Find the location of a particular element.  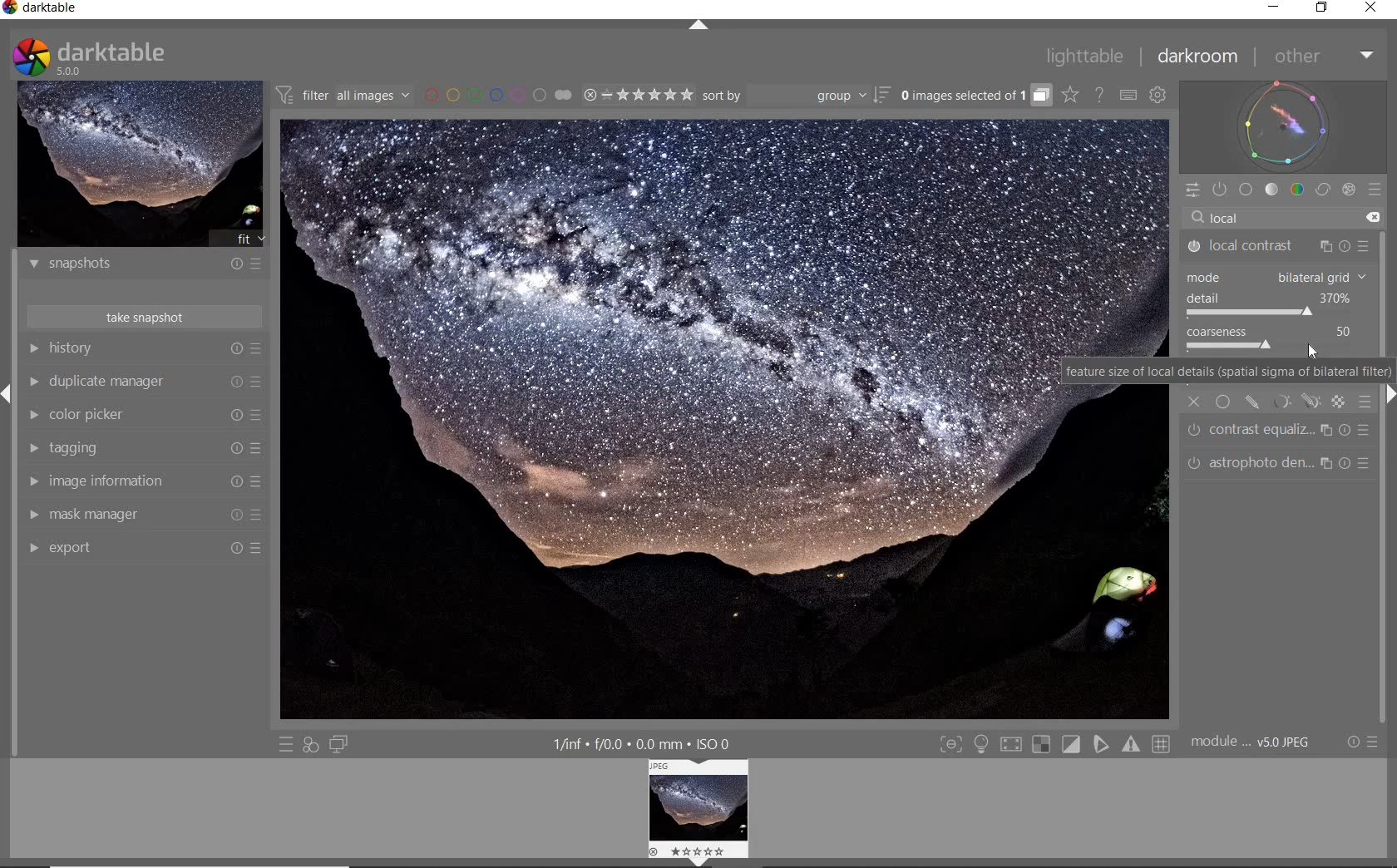

FILTER BY IMAGE COLOR LABEL is located at coordinates (497, 95).